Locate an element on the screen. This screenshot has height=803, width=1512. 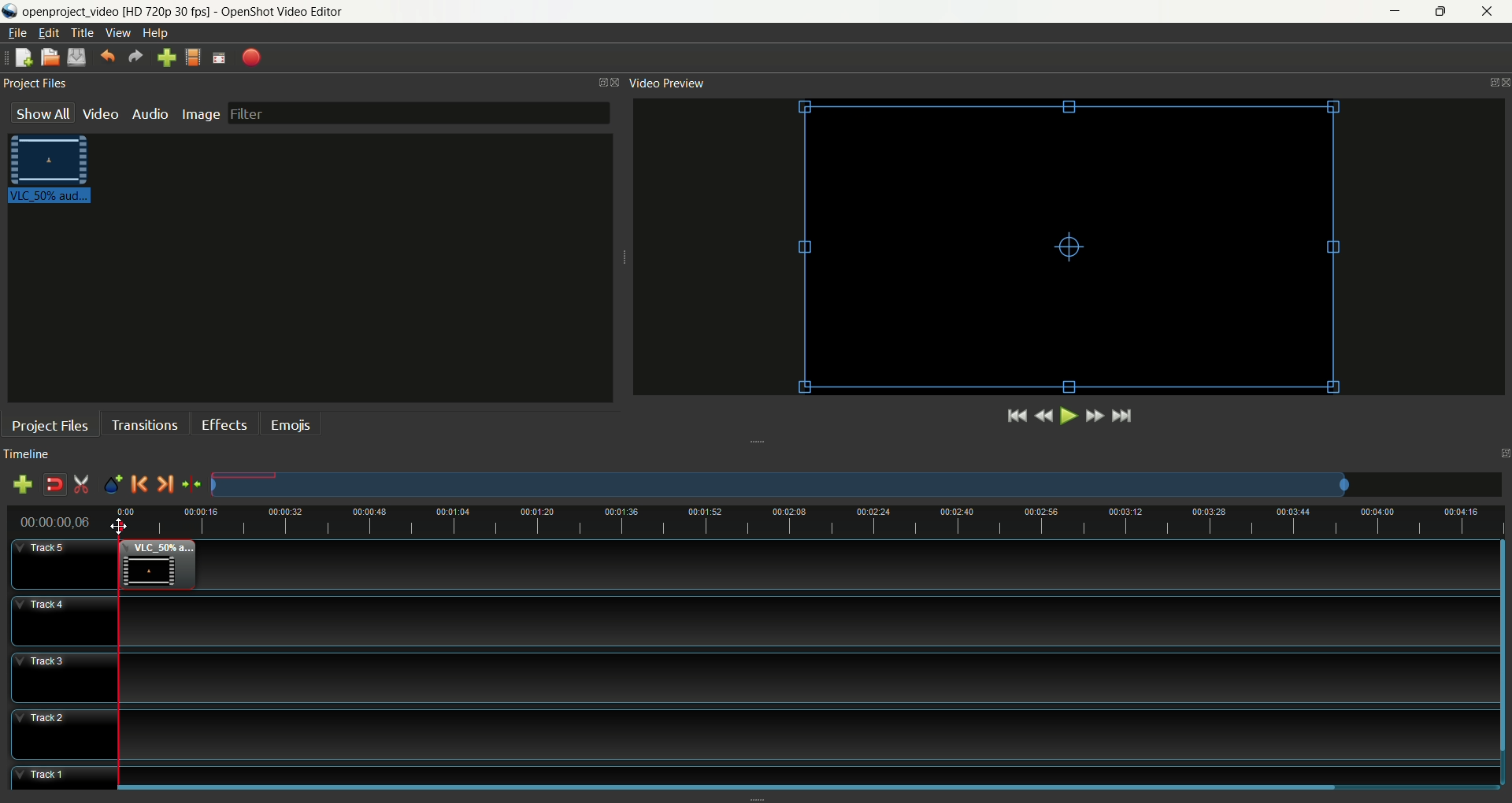
zoom factor is located at coordinates (857, 485).